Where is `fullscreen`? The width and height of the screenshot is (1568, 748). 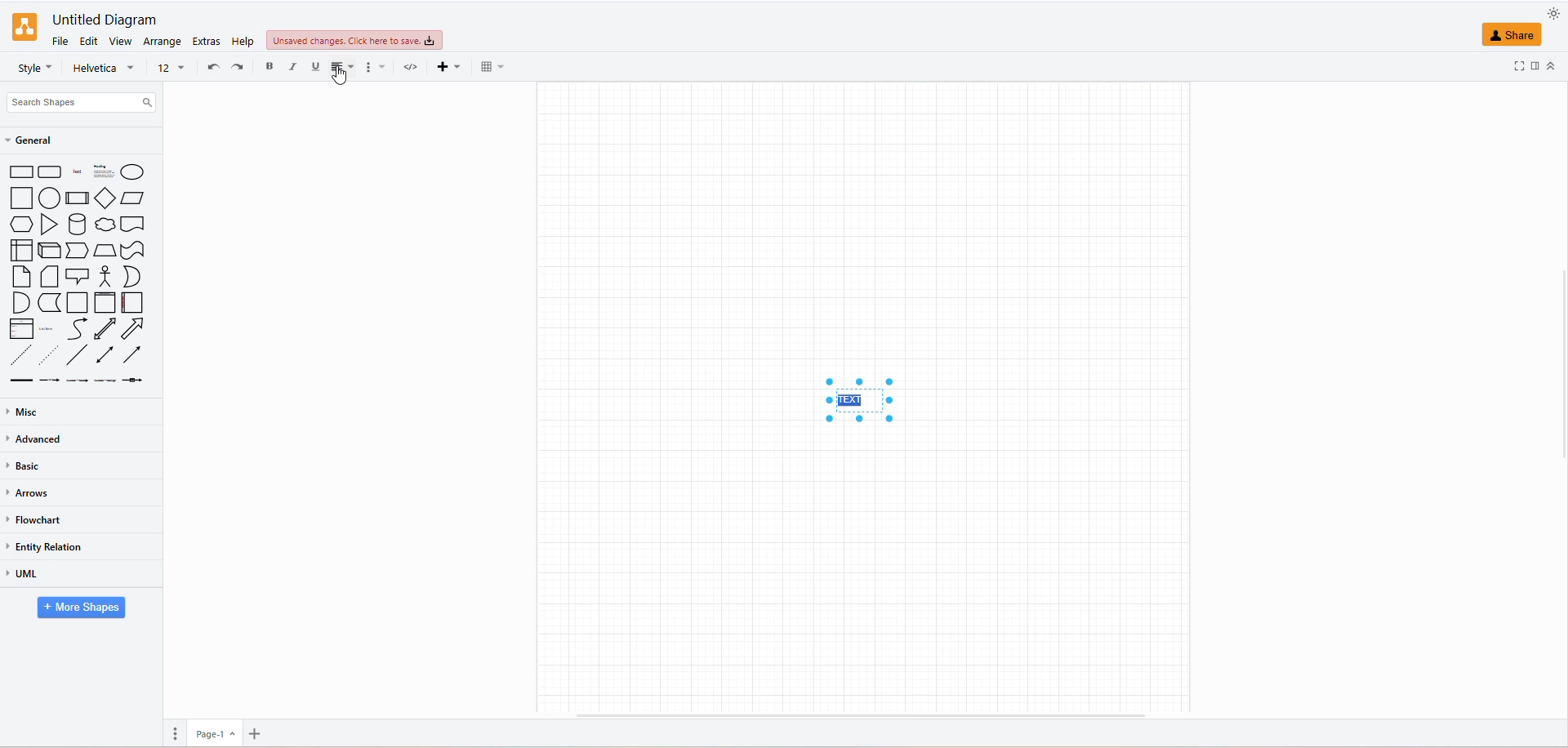
fullscreen is located at coordinates (1519, 65).